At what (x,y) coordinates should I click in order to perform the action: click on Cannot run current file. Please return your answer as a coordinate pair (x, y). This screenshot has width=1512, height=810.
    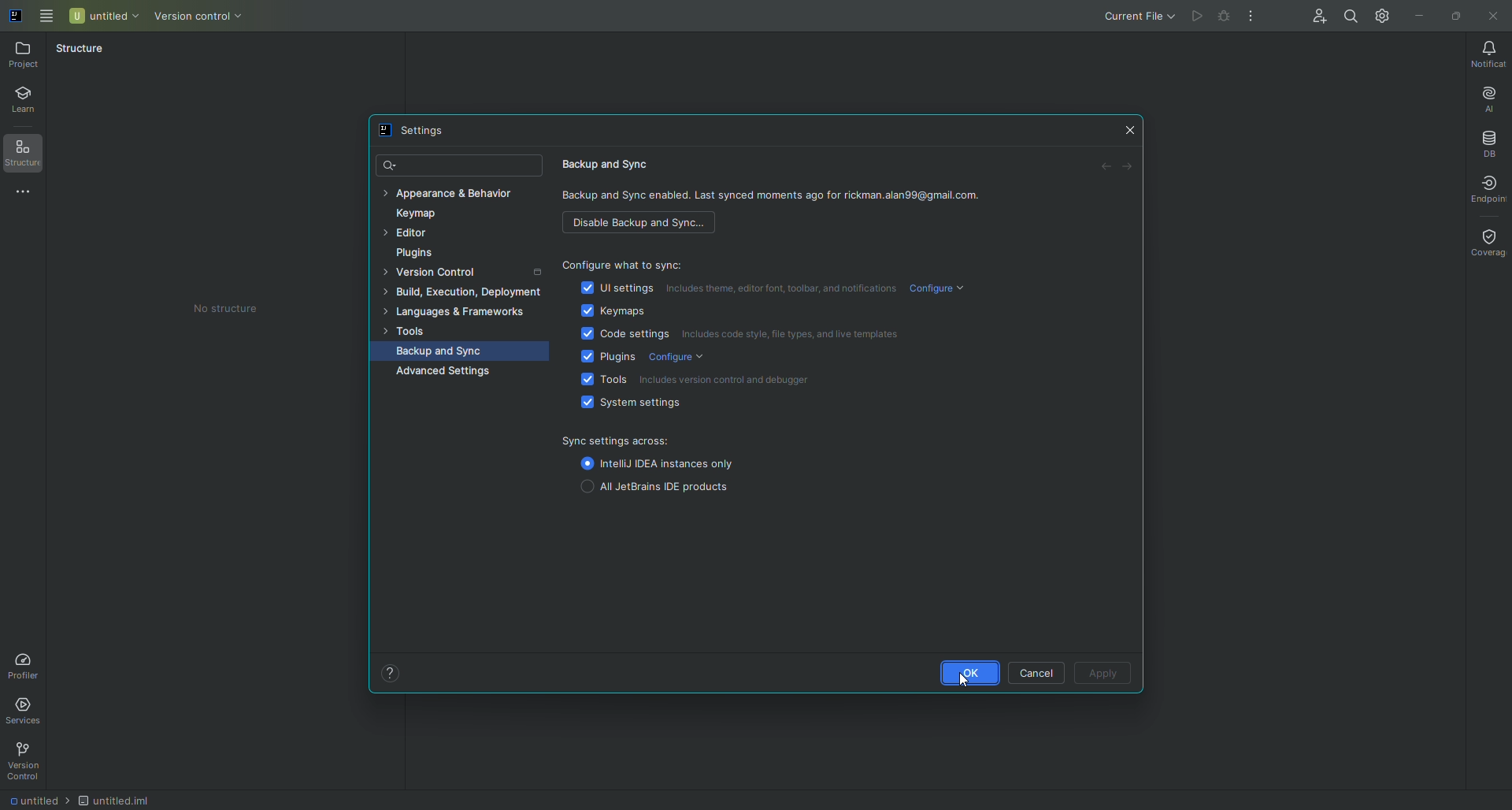
    Looking at the image, I should click on (1199, 17).